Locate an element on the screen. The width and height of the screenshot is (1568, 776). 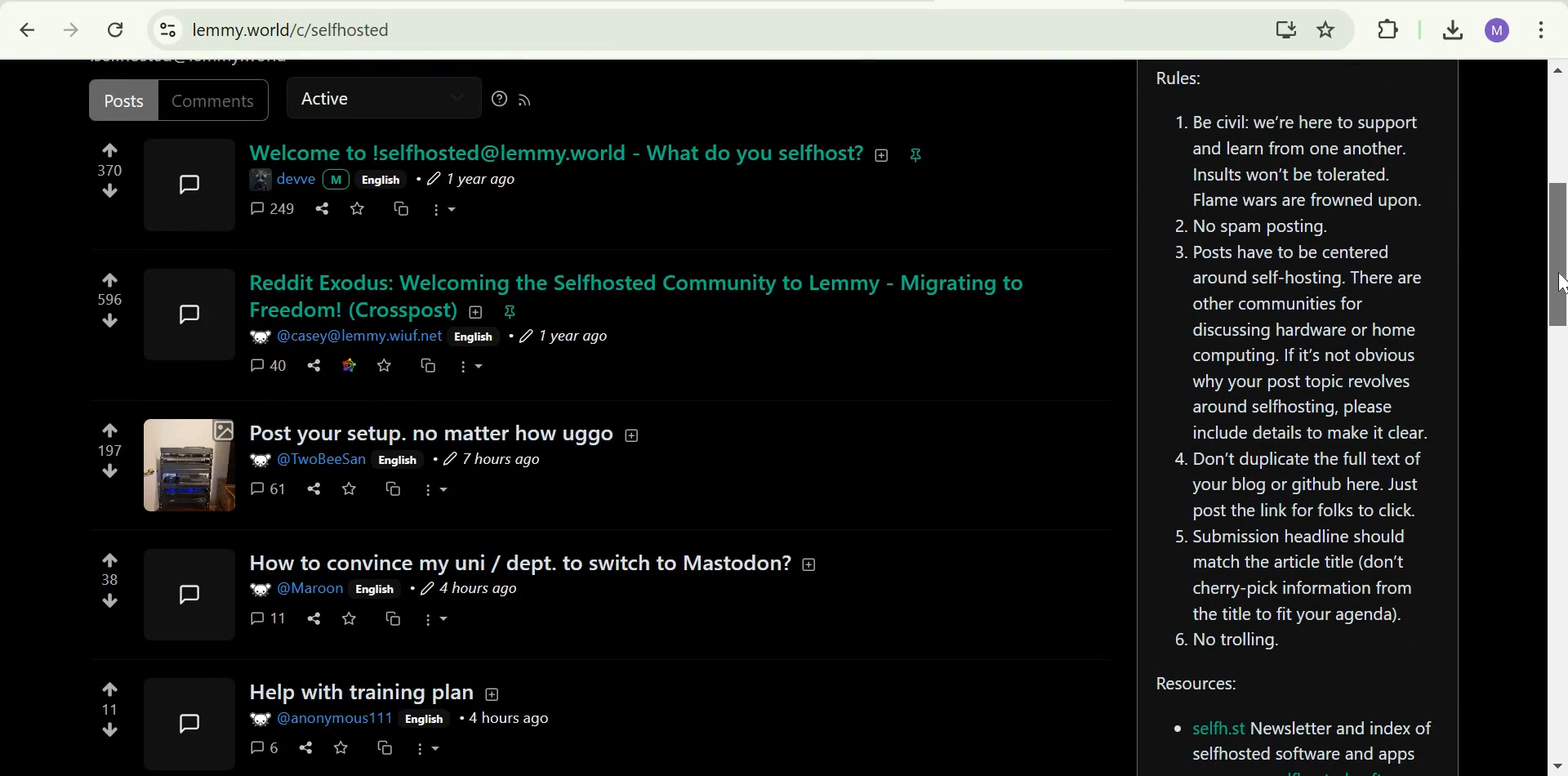
197 points is located at coordinates (111, 450).